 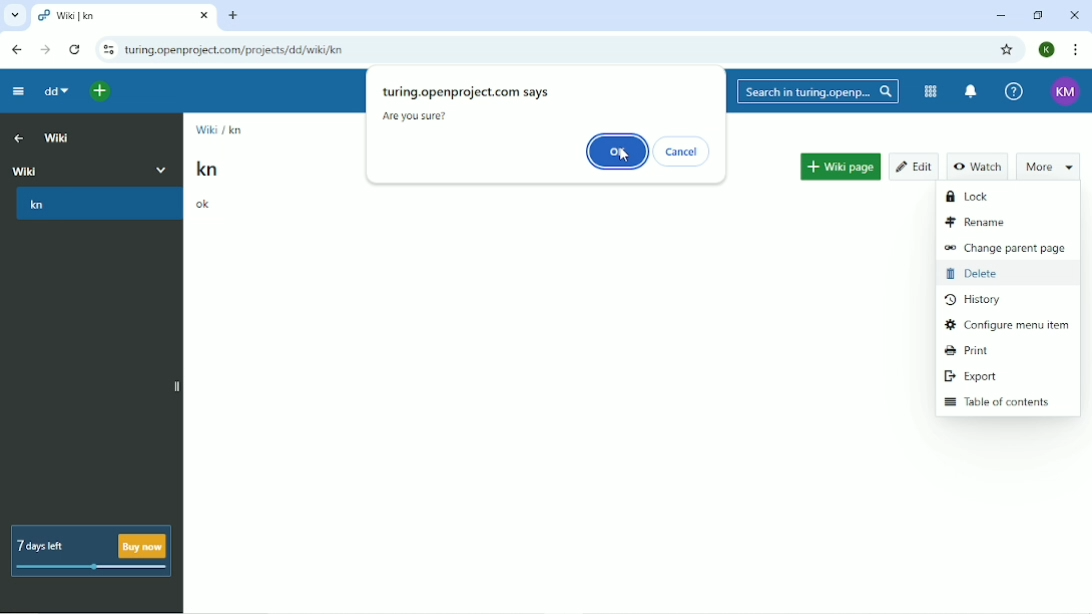 I want to click on Back, so click(x=16, y=50).